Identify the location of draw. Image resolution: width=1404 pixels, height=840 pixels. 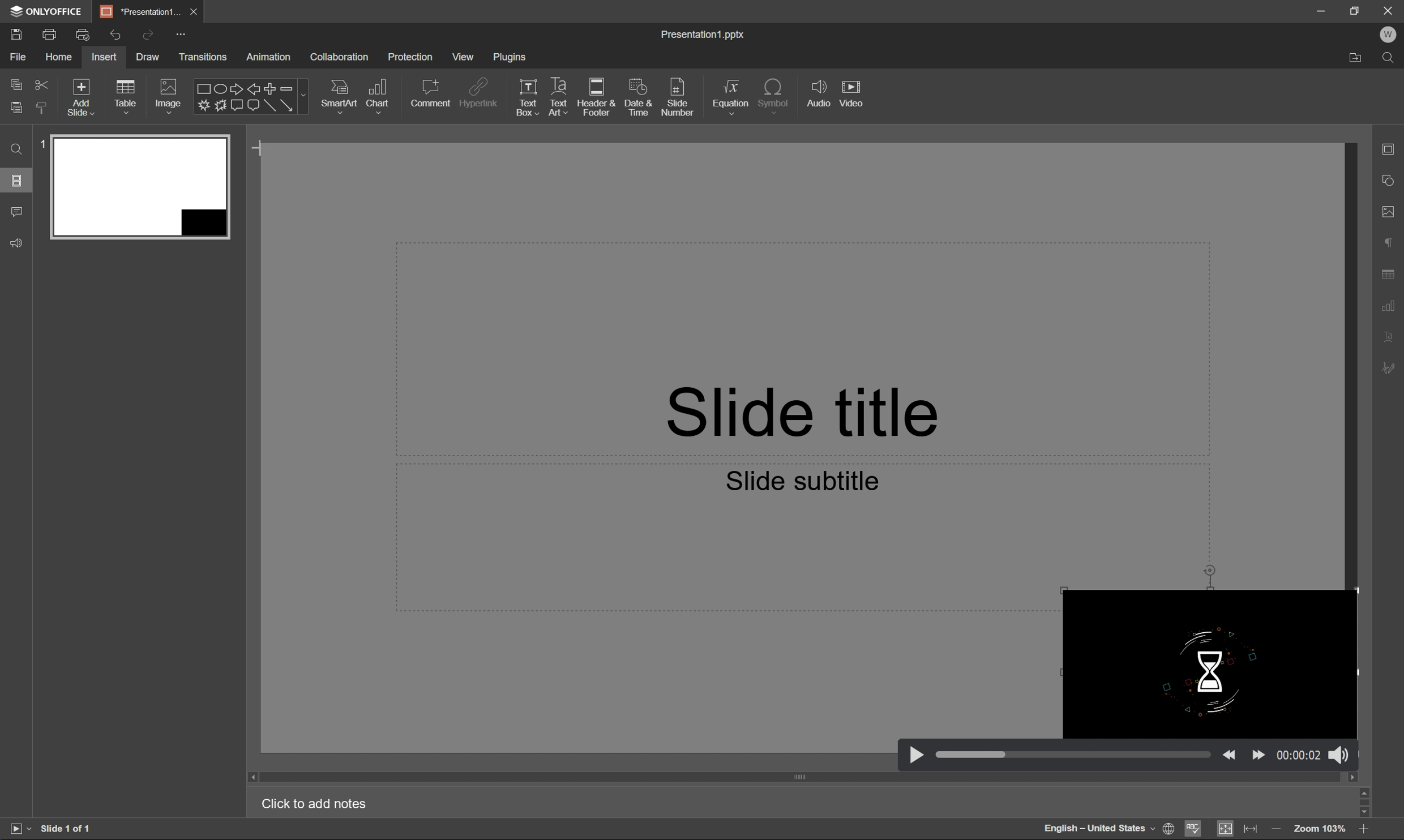
(148, 56).